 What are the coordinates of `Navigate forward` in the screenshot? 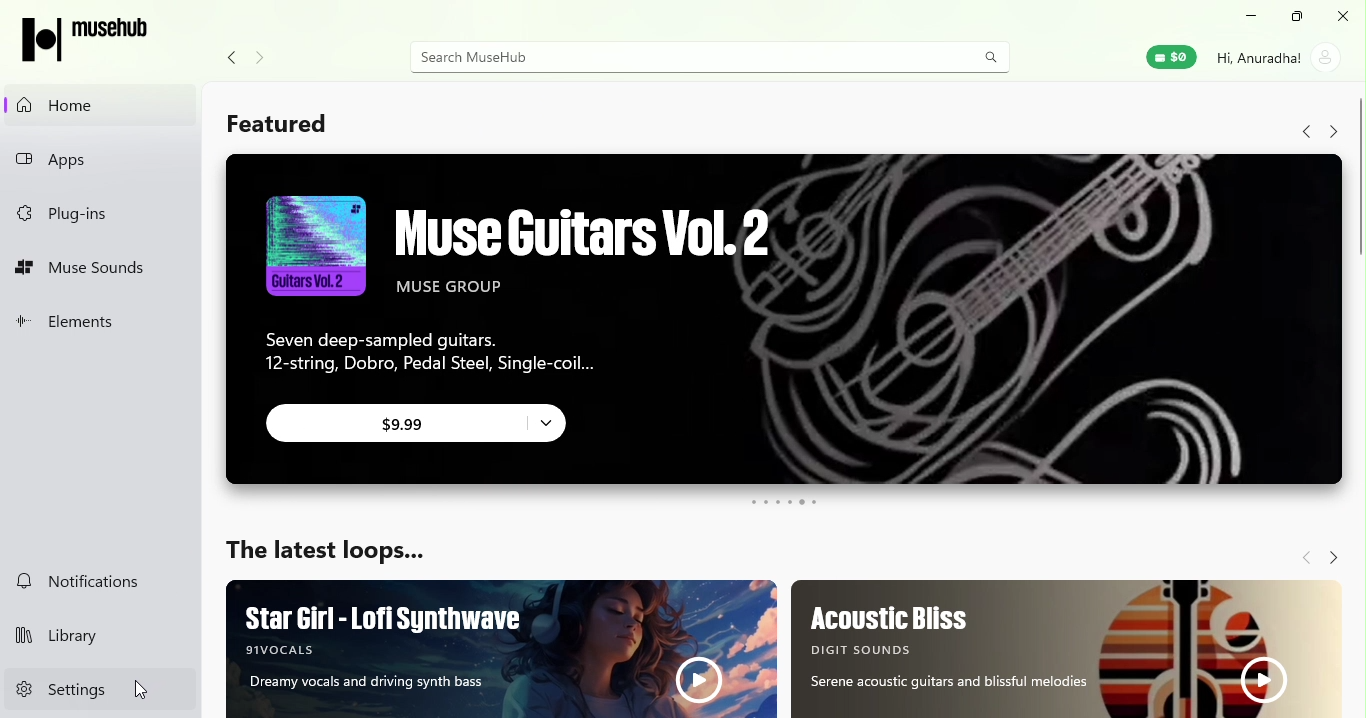 It's located at (1332, 131).